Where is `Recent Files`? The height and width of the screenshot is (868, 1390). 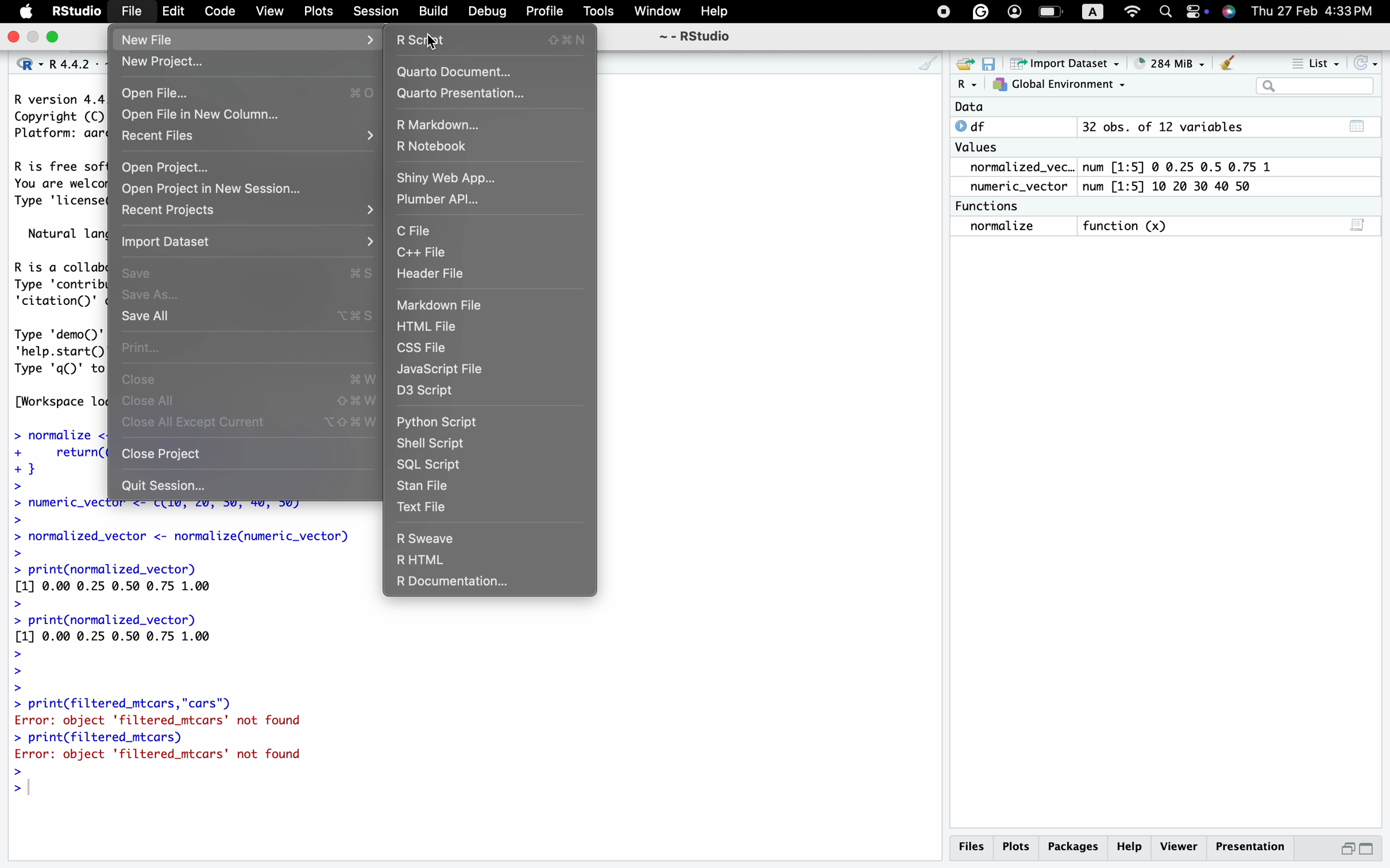 Recent Files is located at coordinates (155, 135).